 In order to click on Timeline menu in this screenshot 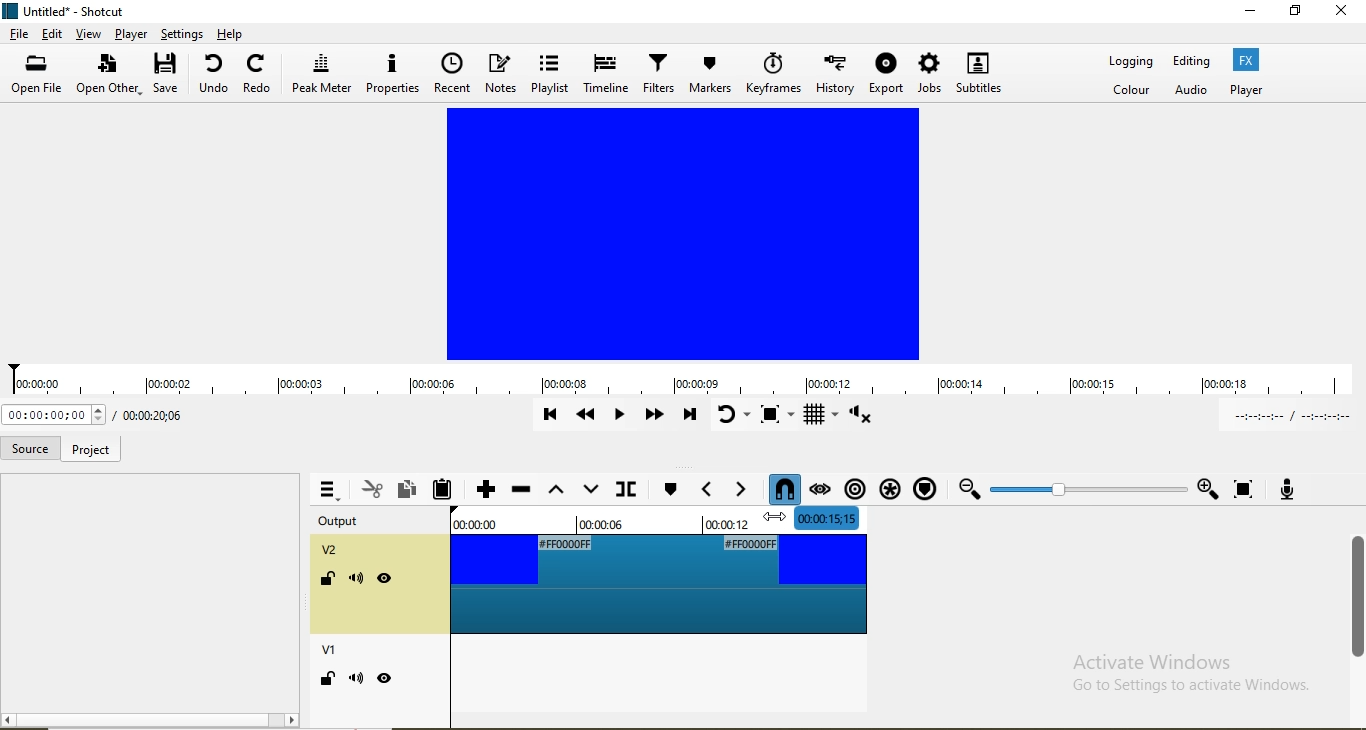, I will do `click(327, 490)`.